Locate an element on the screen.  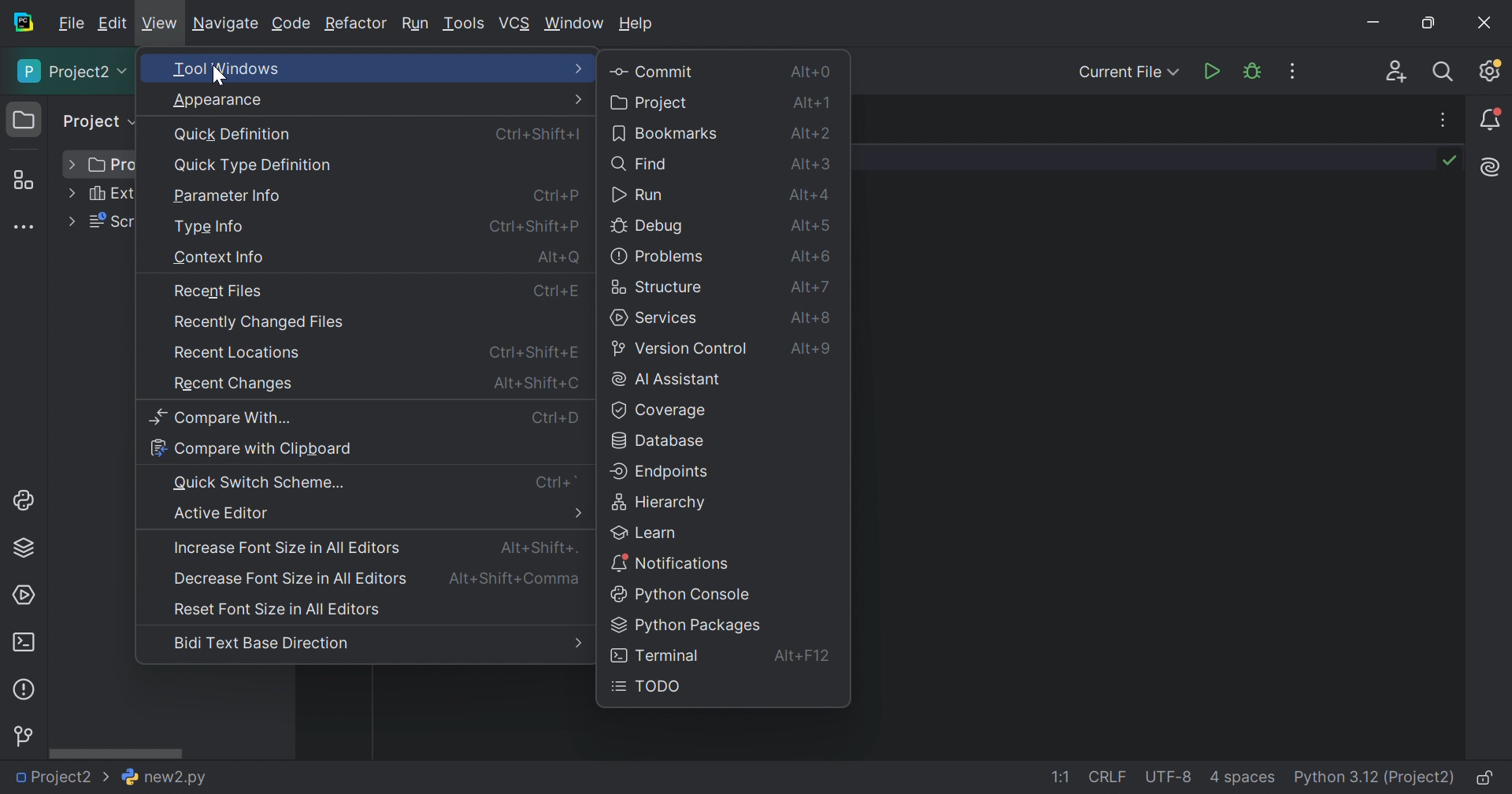
Search Everywhere is located at coordinates (1444, 71).